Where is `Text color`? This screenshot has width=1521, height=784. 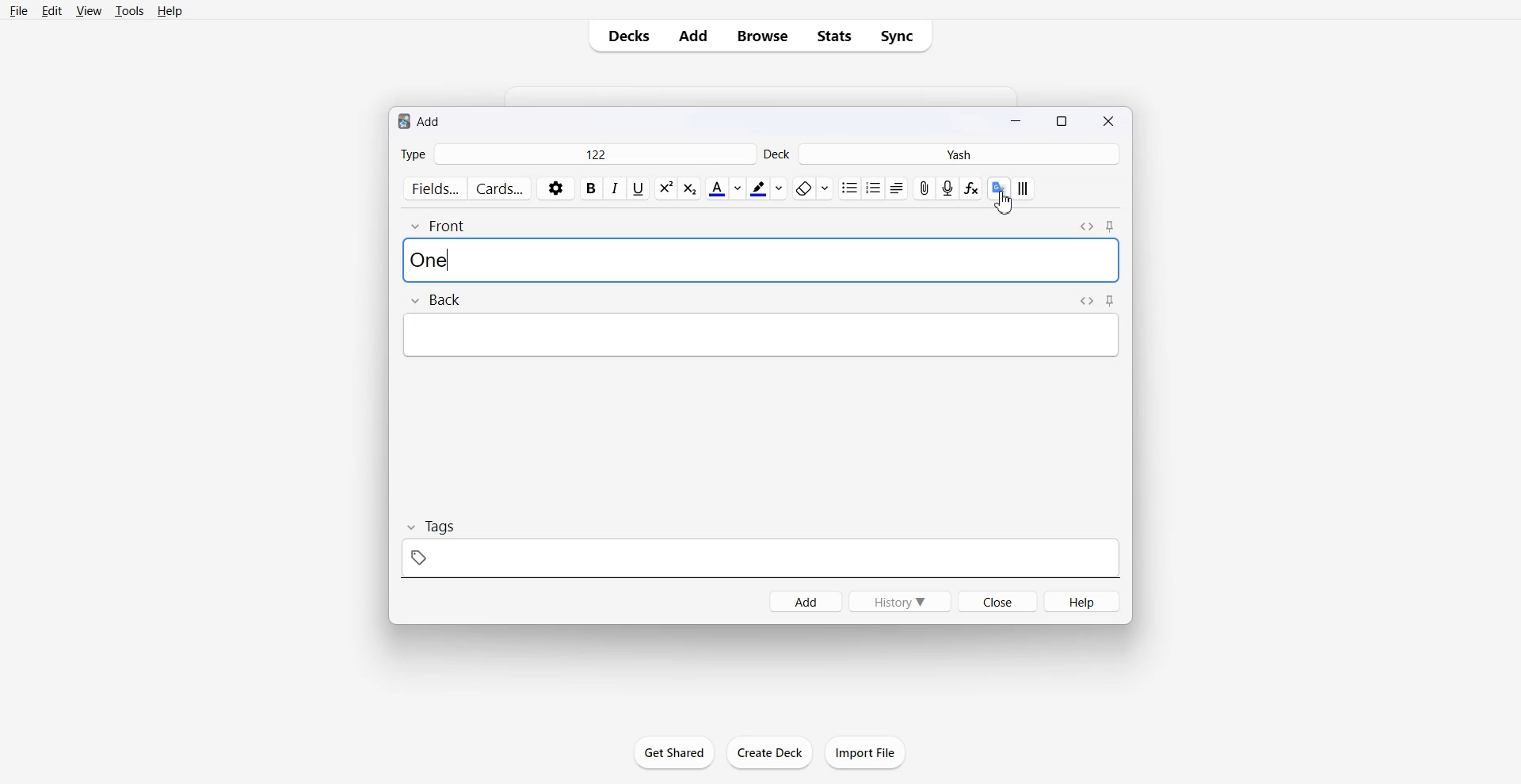 Text color is located at coordinates (724, 188).